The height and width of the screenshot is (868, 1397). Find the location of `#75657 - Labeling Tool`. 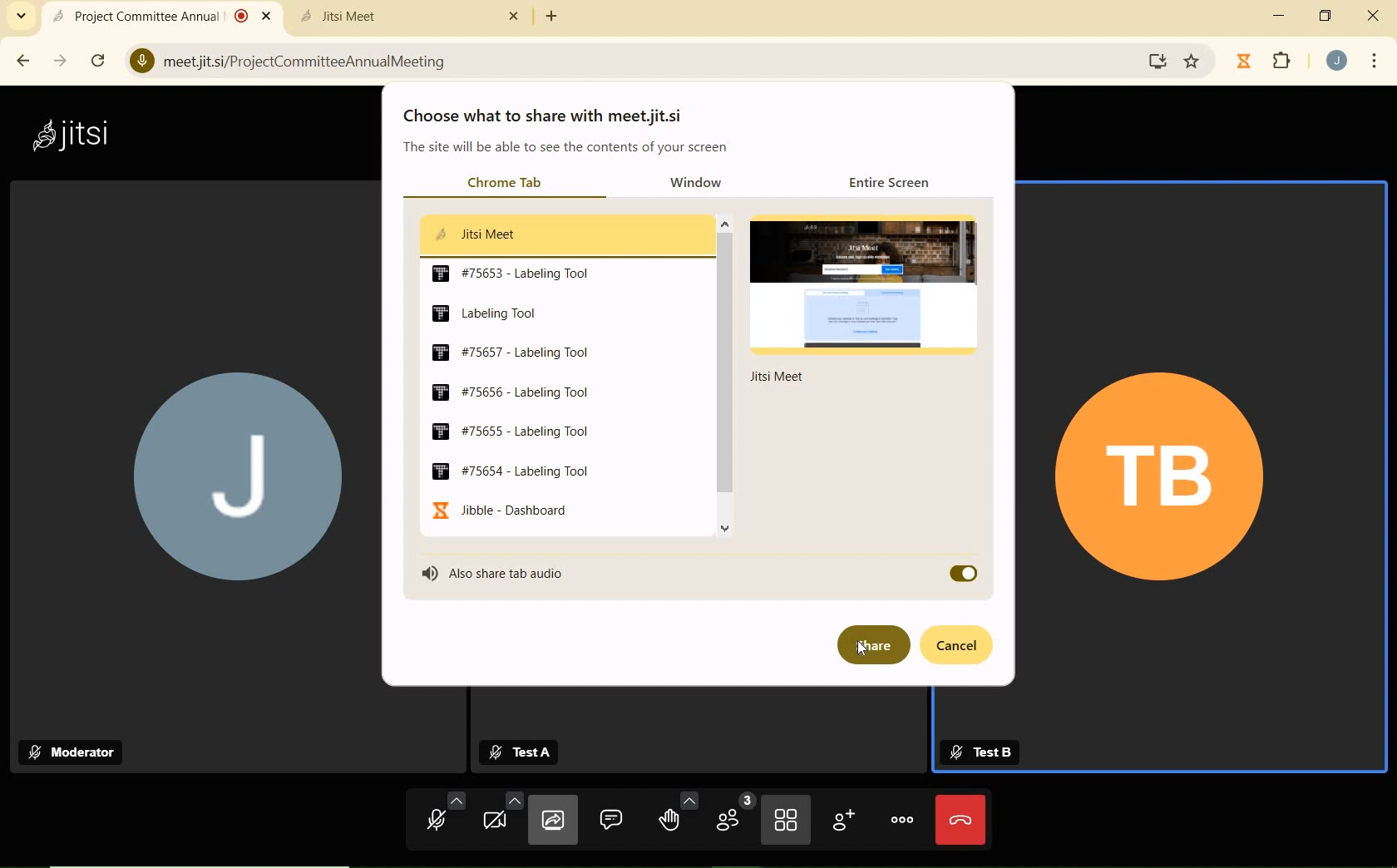

#75657 - Labeling Tool is located at coordinates (531, 352).